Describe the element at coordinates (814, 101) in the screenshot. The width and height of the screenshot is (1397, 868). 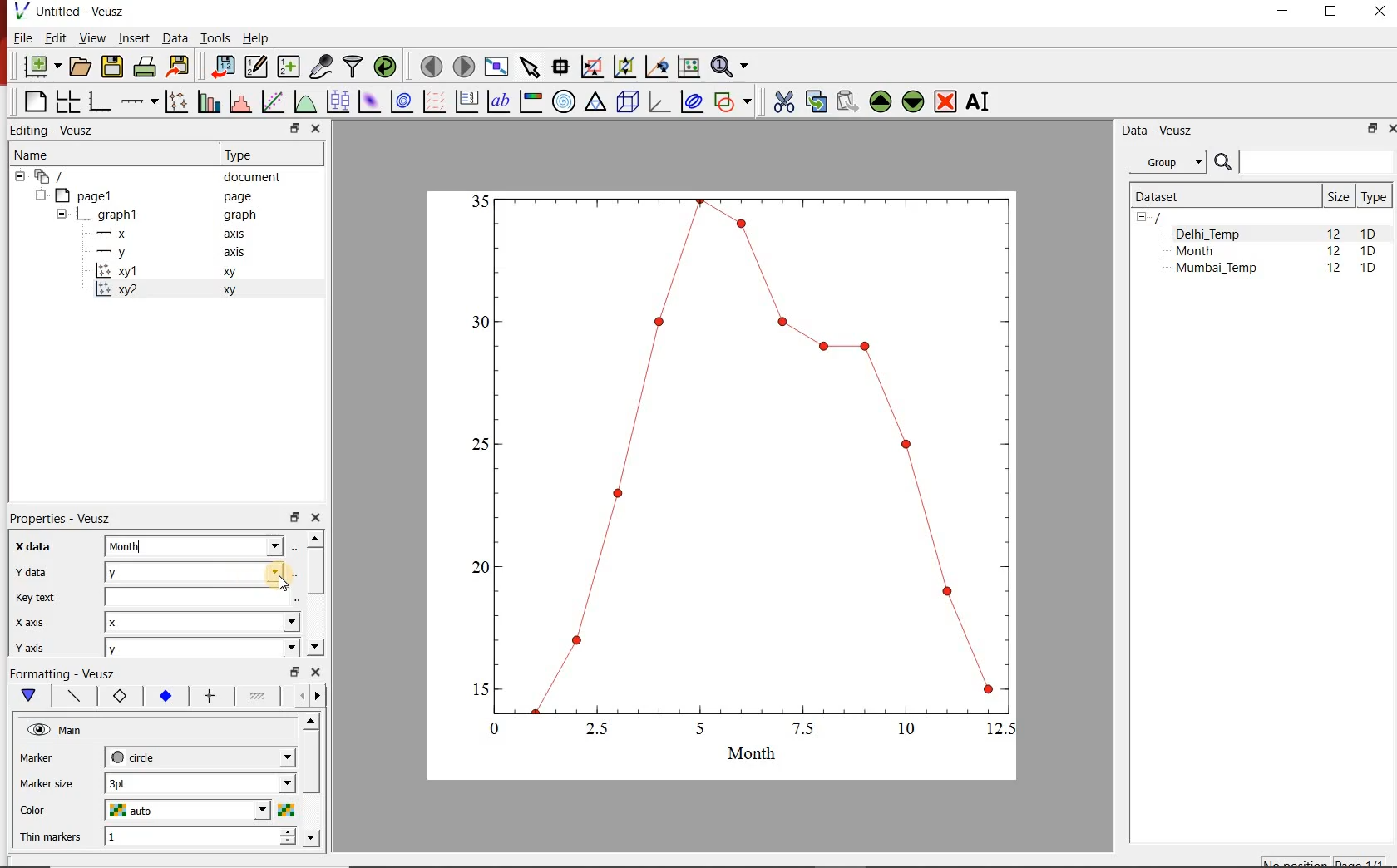
I see `copy the selected widget` at that location.